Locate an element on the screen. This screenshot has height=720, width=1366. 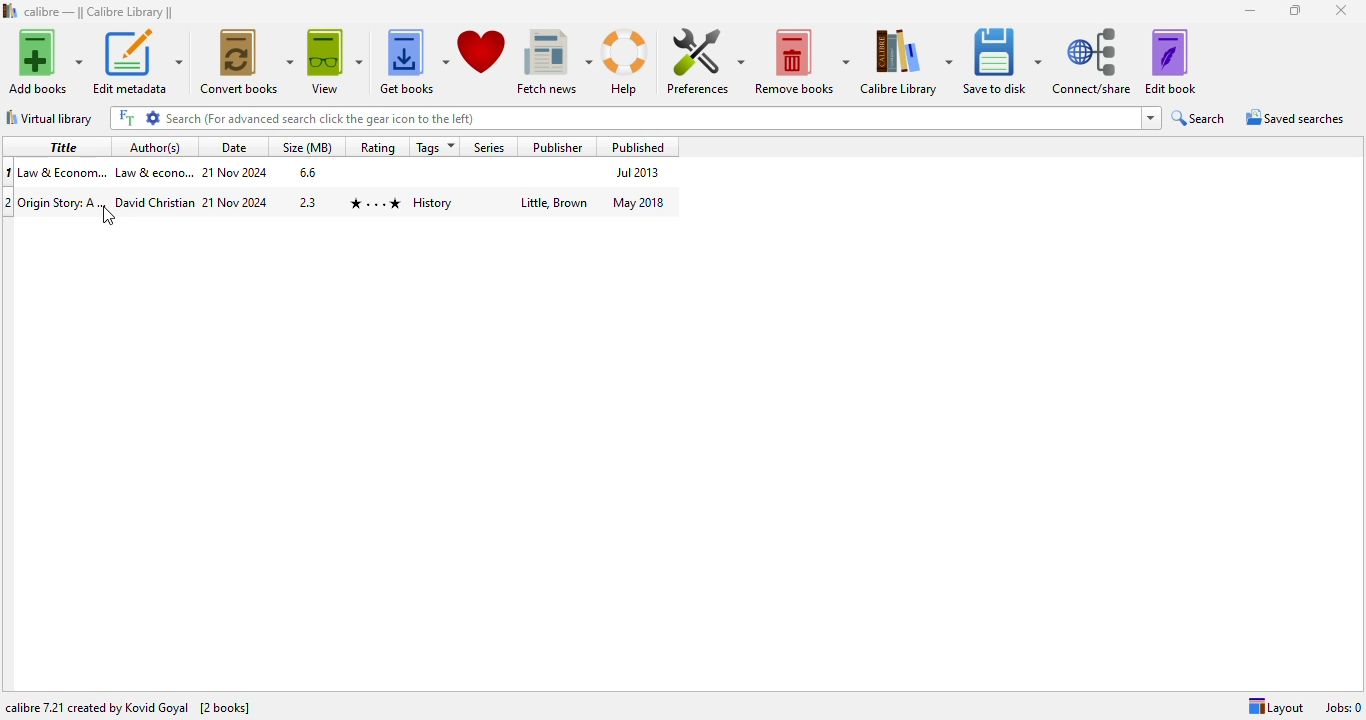
calibre library is located at coordinates (99, 11).